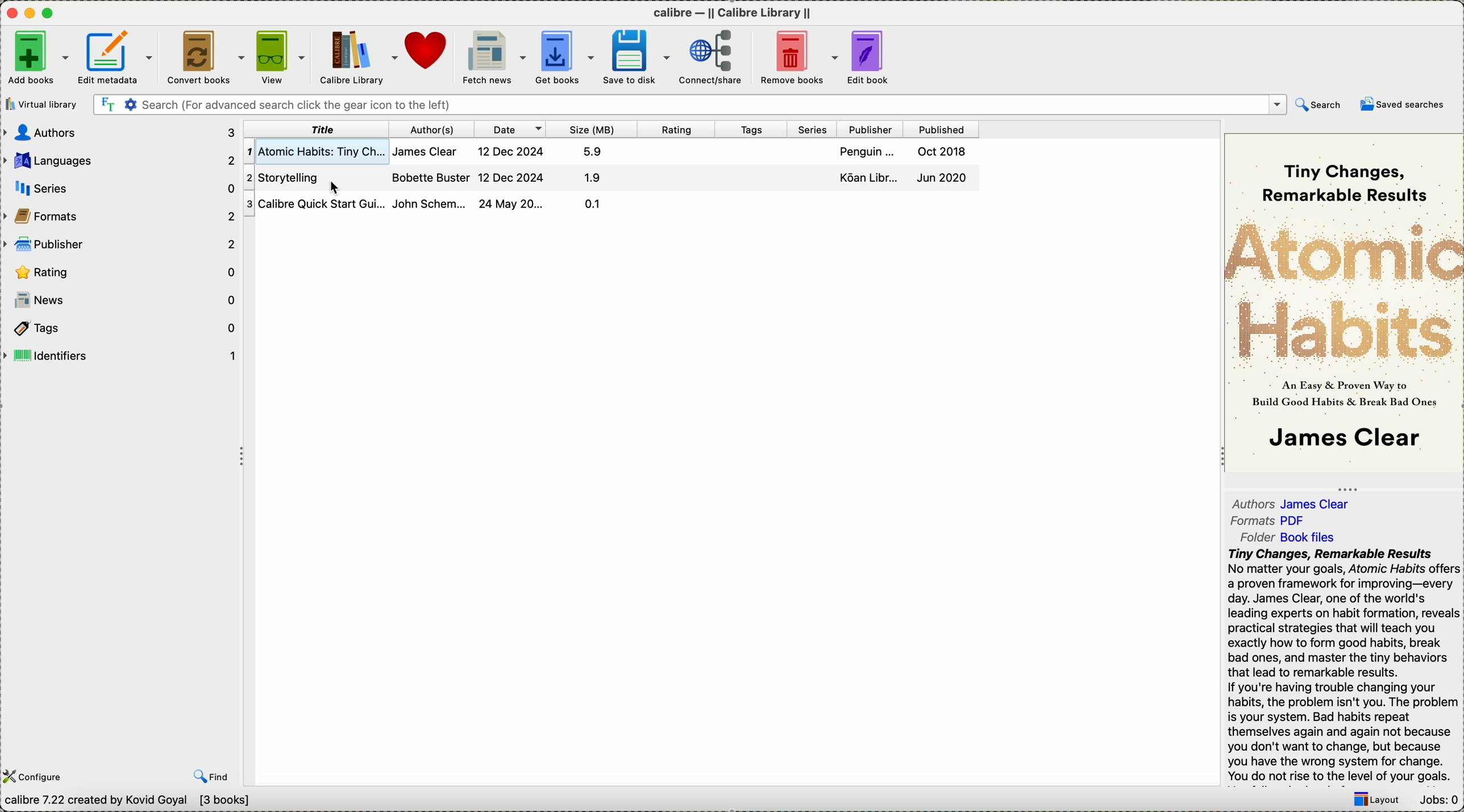 The image size is (1464, 812). Describe the element at coordinates (10, 13) in the screenshot. I see `close` at that location.